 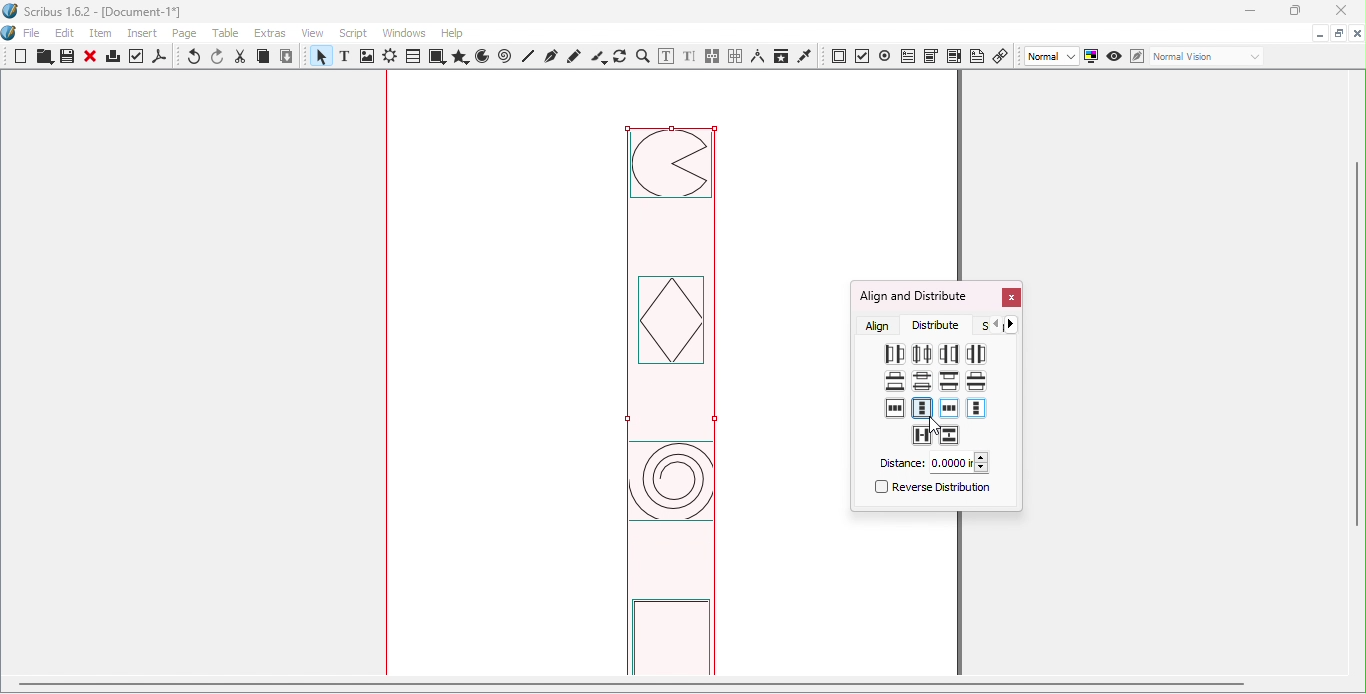 I want to click on Distribute left sides equidistantly, so click(x=893, y=355).